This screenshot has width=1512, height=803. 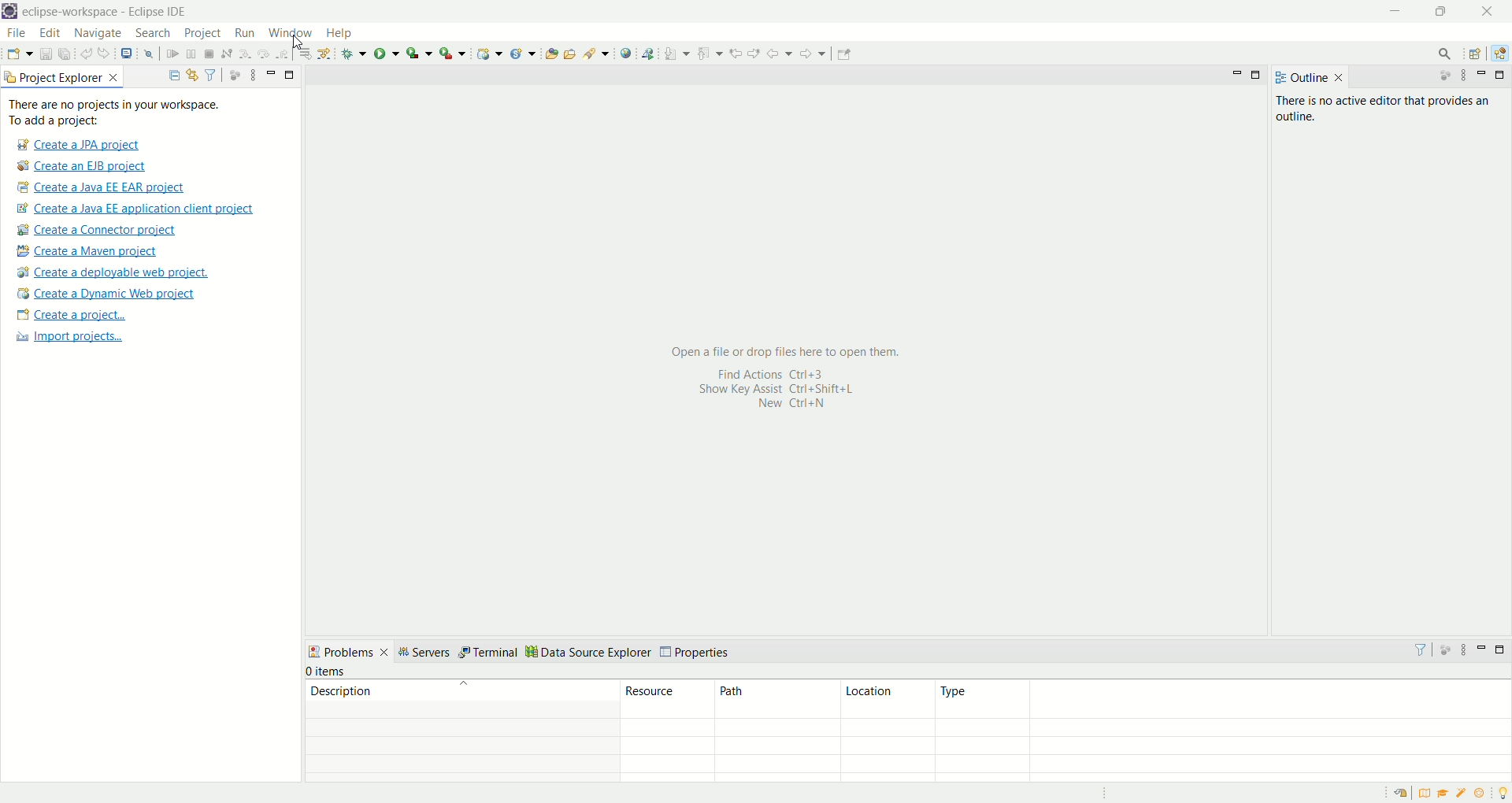 I want to click on forward, so click(x=811, y=57).